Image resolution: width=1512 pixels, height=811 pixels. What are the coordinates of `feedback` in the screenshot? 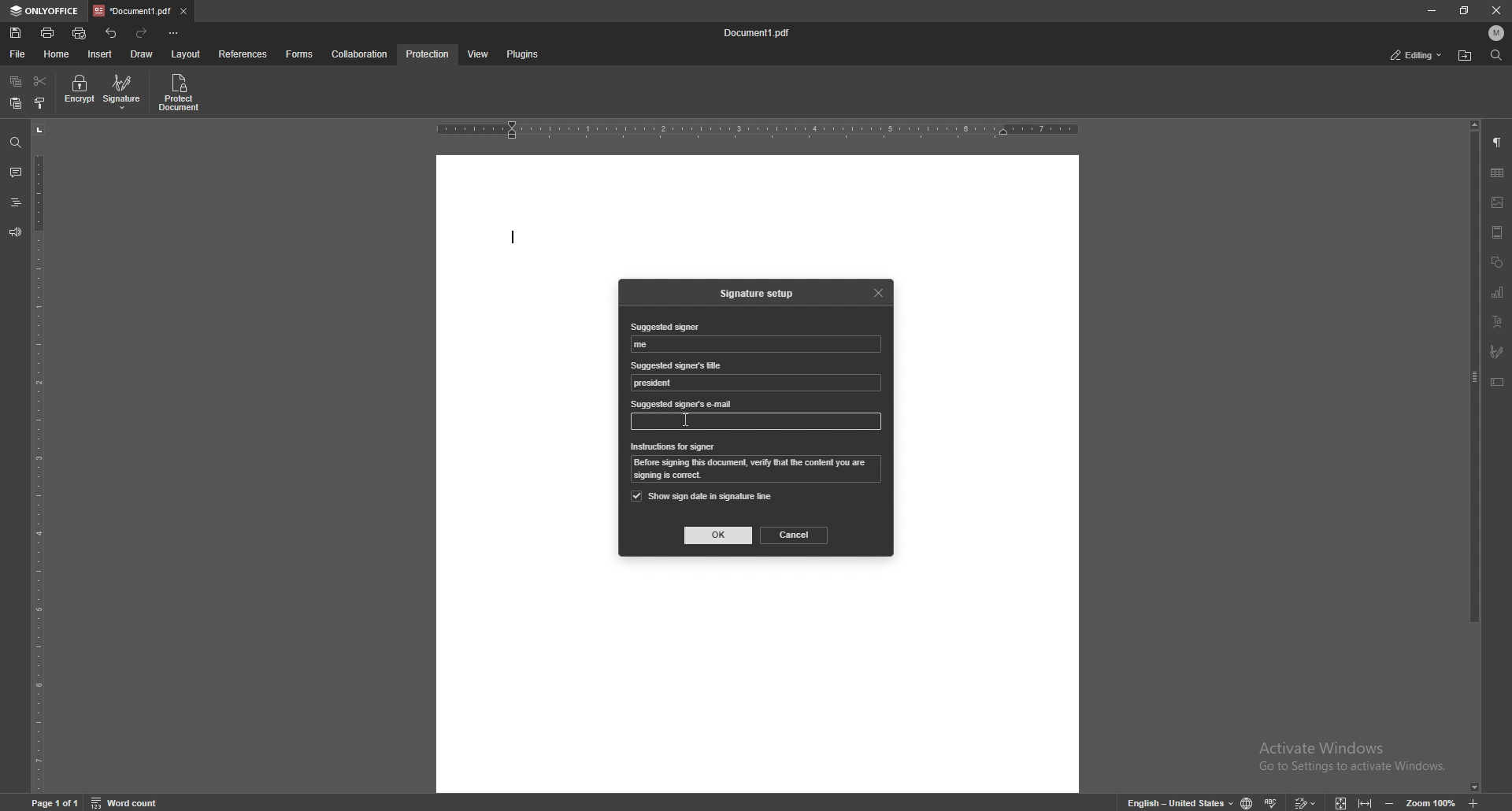 It's located at (14, 232).